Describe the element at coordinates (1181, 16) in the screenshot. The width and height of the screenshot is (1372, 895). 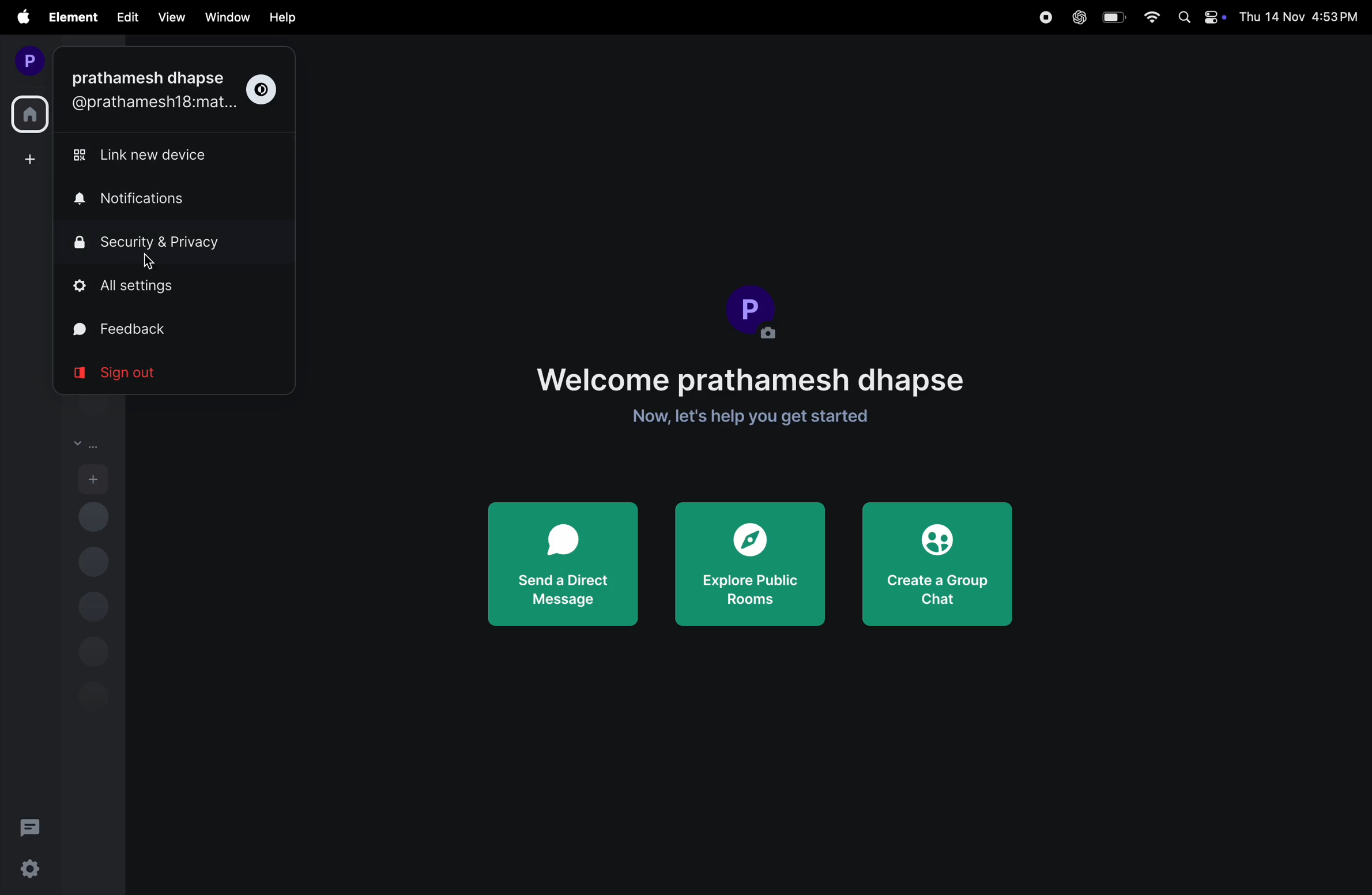
I see `spotlight search` at that location.